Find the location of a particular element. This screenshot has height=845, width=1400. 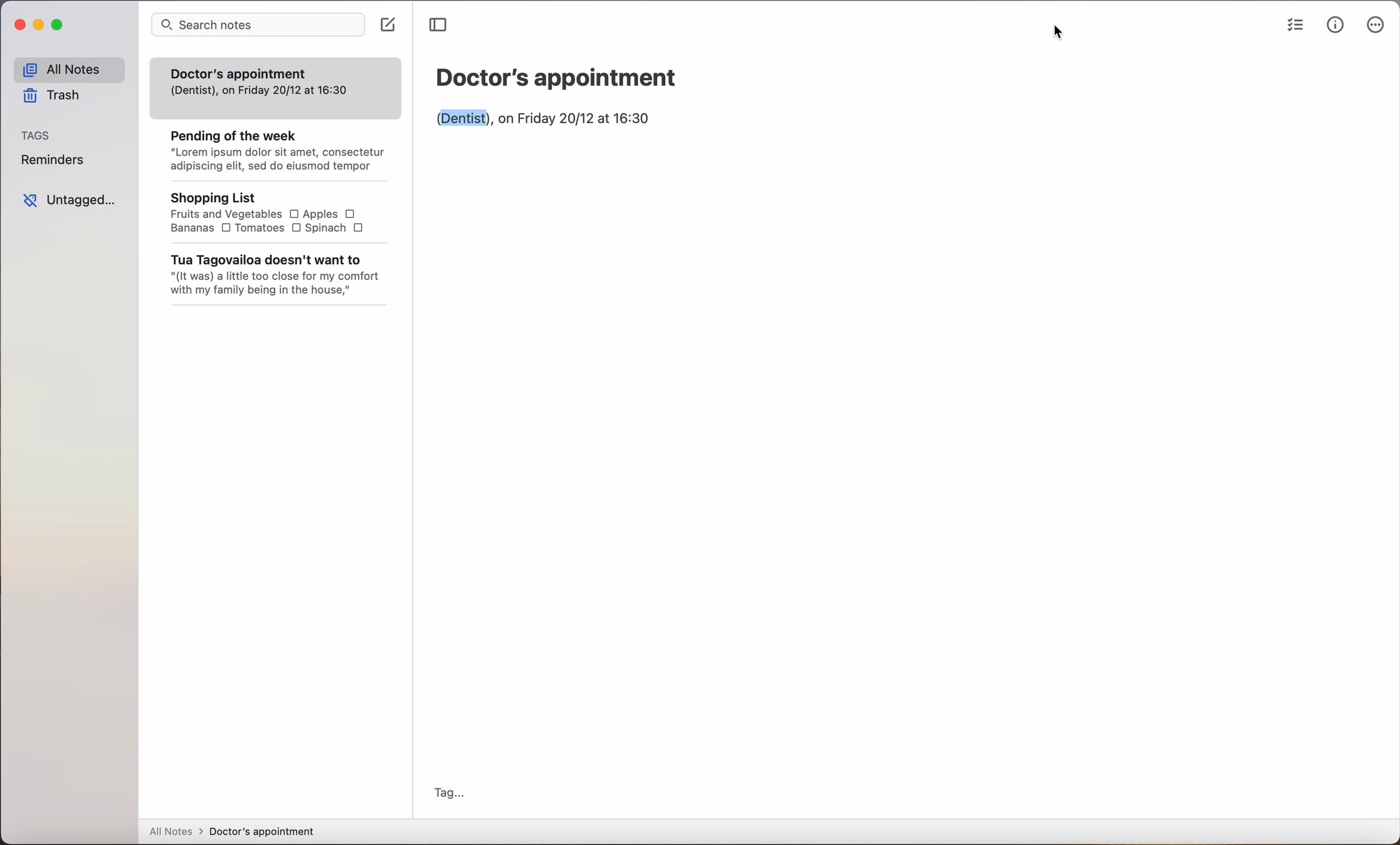

create note is located at coordinates (391, 26).